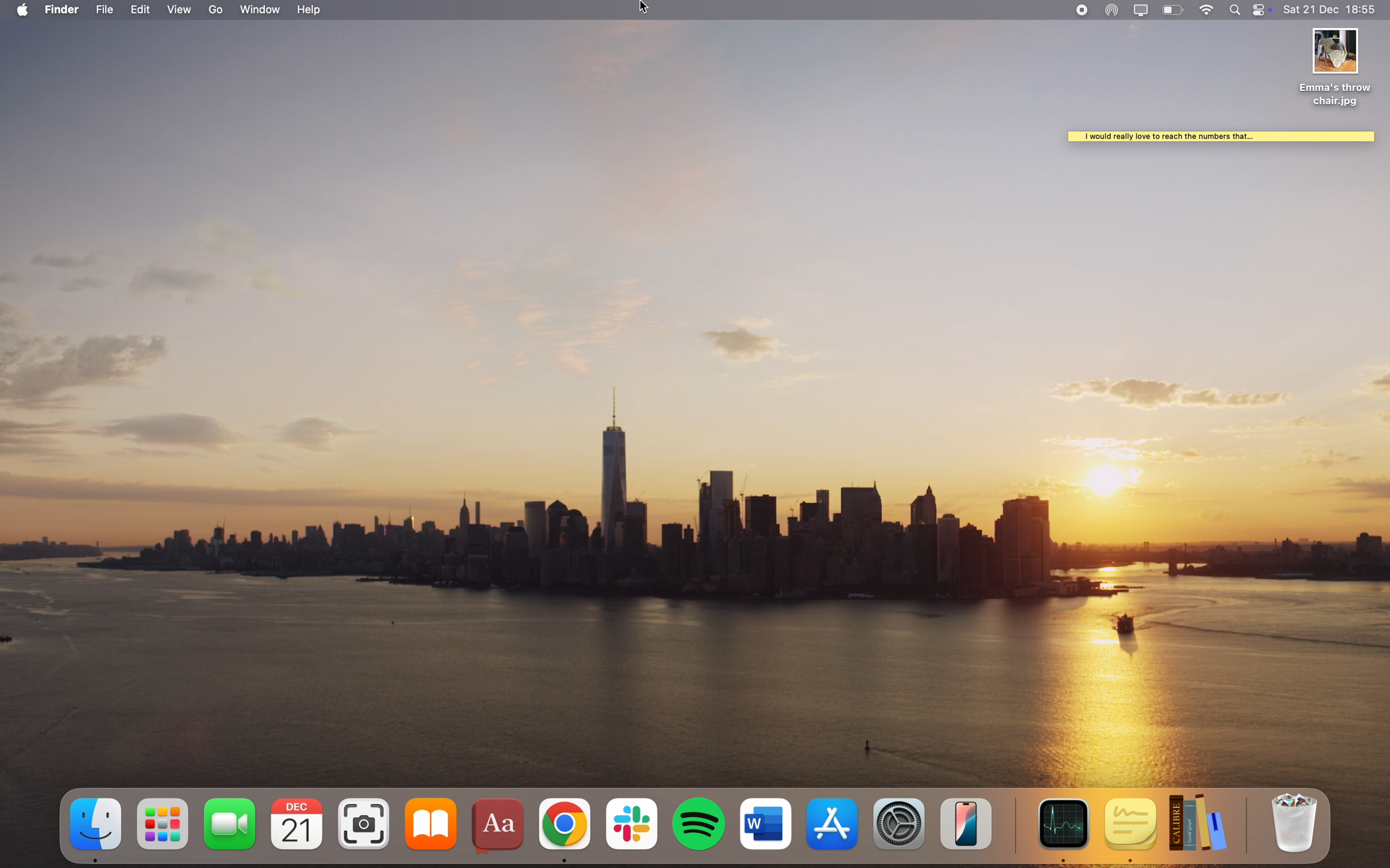 The width and height of the screenshot is (1390, 868). Describe the element at coordinates (103, 9) in the screenshot. I see `file` at that location.